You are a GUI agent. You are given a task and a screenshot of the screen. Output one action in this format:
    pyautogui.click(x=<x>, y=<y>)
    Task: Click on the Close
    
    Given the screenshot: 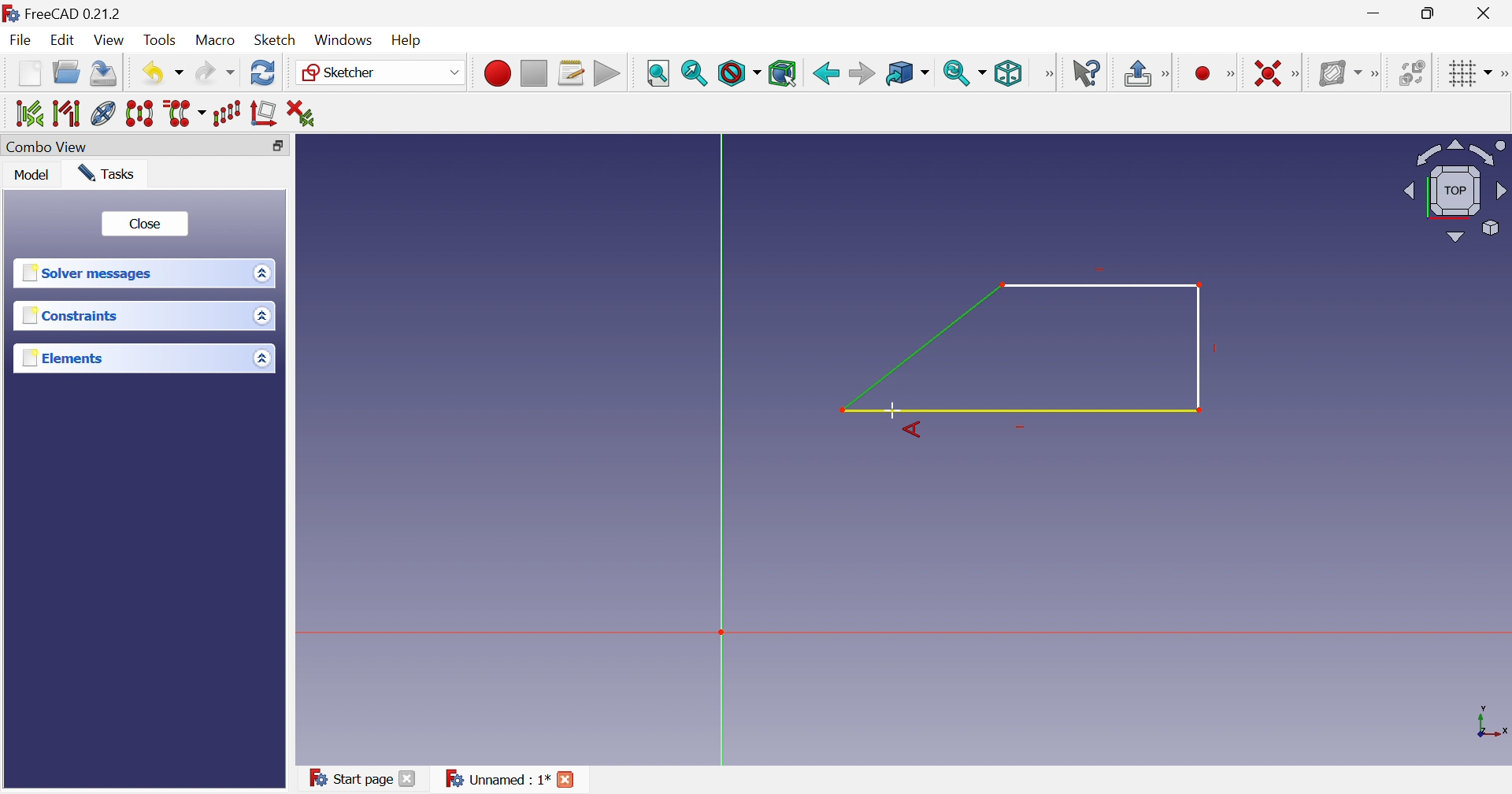 What is the action you would take?
    pyautogui.click(x=409, y=781)
    